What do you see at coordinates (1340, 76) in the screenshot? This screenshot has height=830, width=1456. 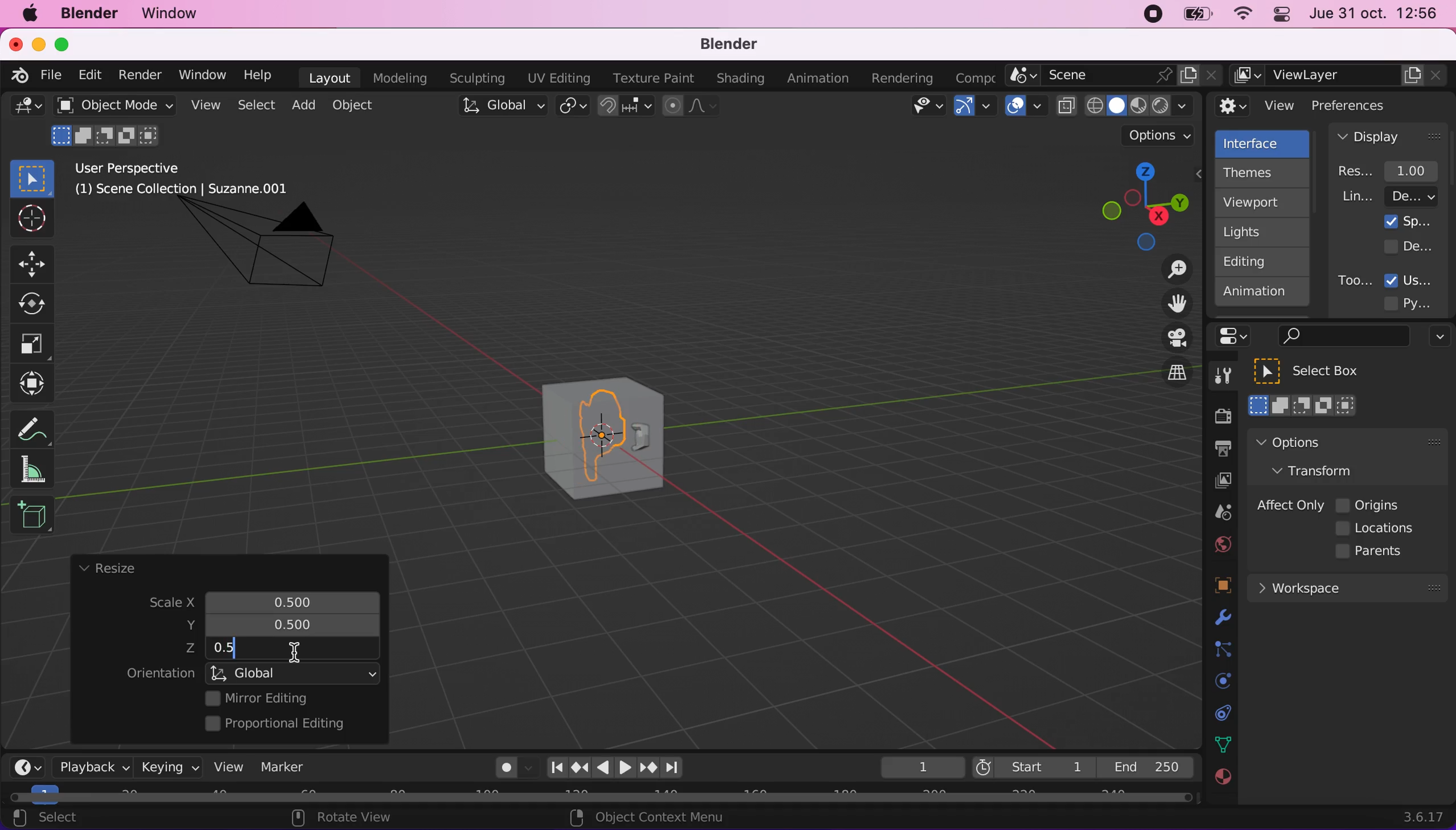 I see `view layer` at bounding box center [1340, 76].